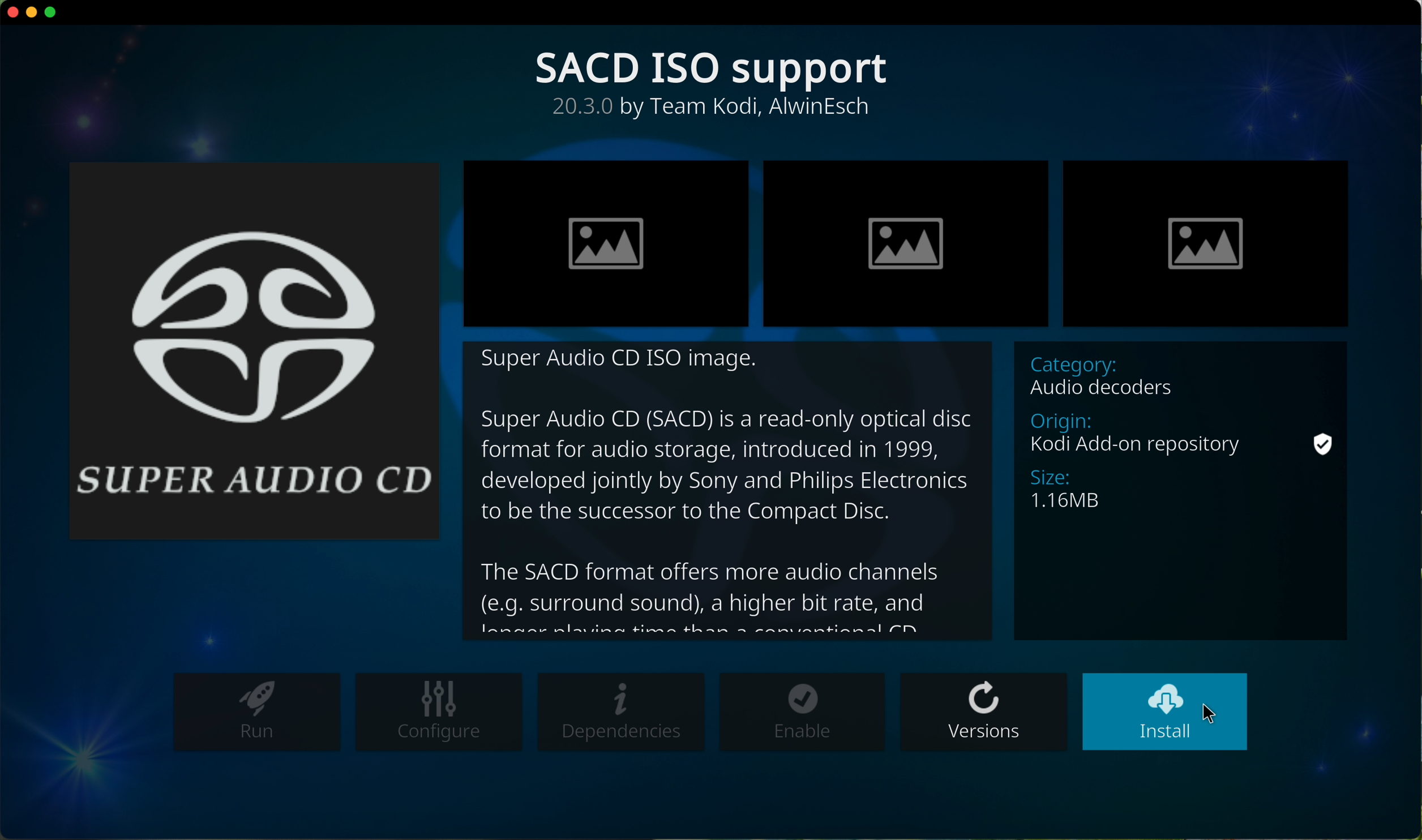  What do you see at coordinates (254, 349) in the screenshot?
I see `image` at bounding box center [254, 349].